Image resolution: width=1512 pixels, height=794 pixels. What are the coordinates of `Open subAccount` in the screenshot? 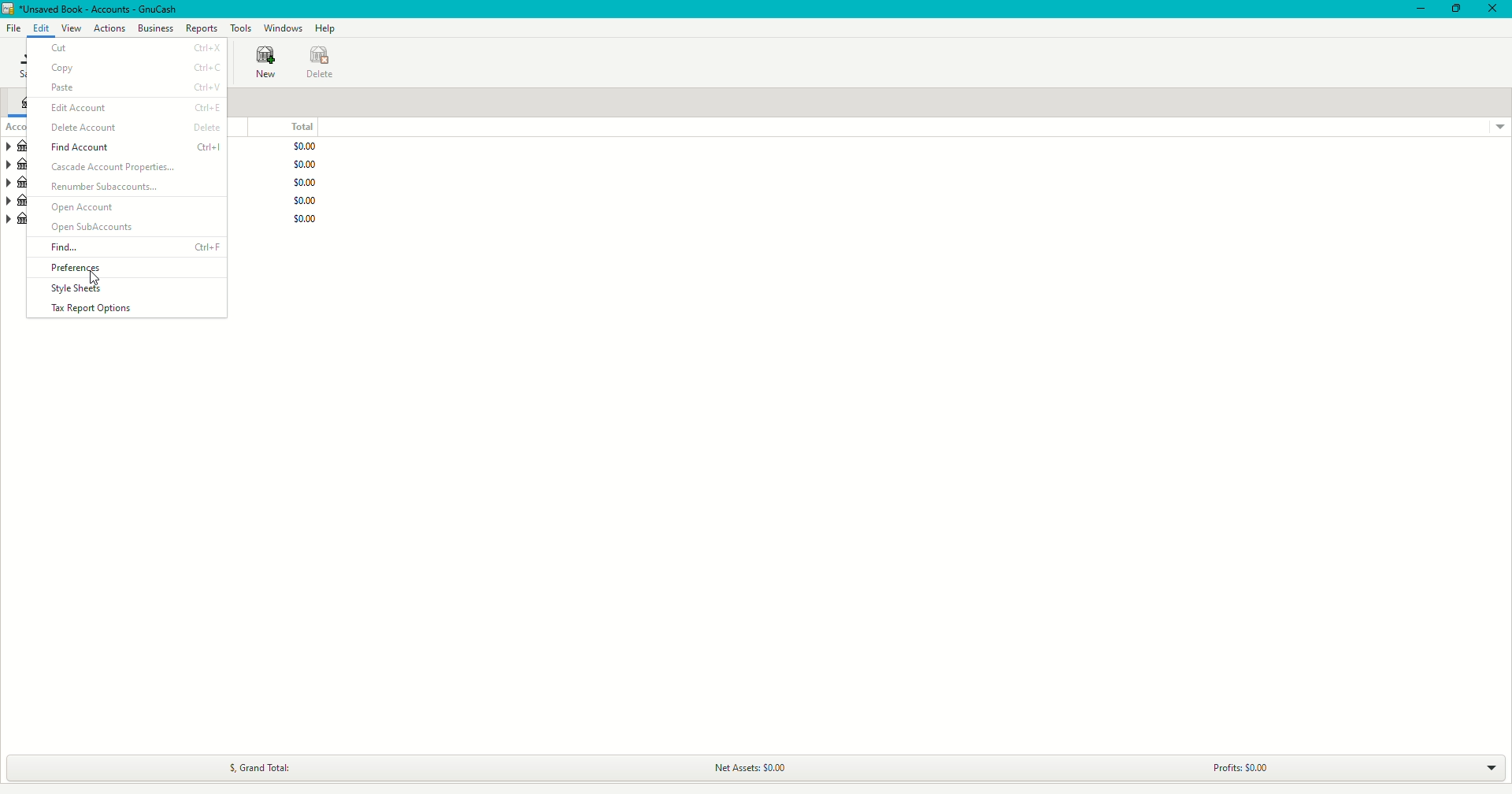 It's located at (128, 226).